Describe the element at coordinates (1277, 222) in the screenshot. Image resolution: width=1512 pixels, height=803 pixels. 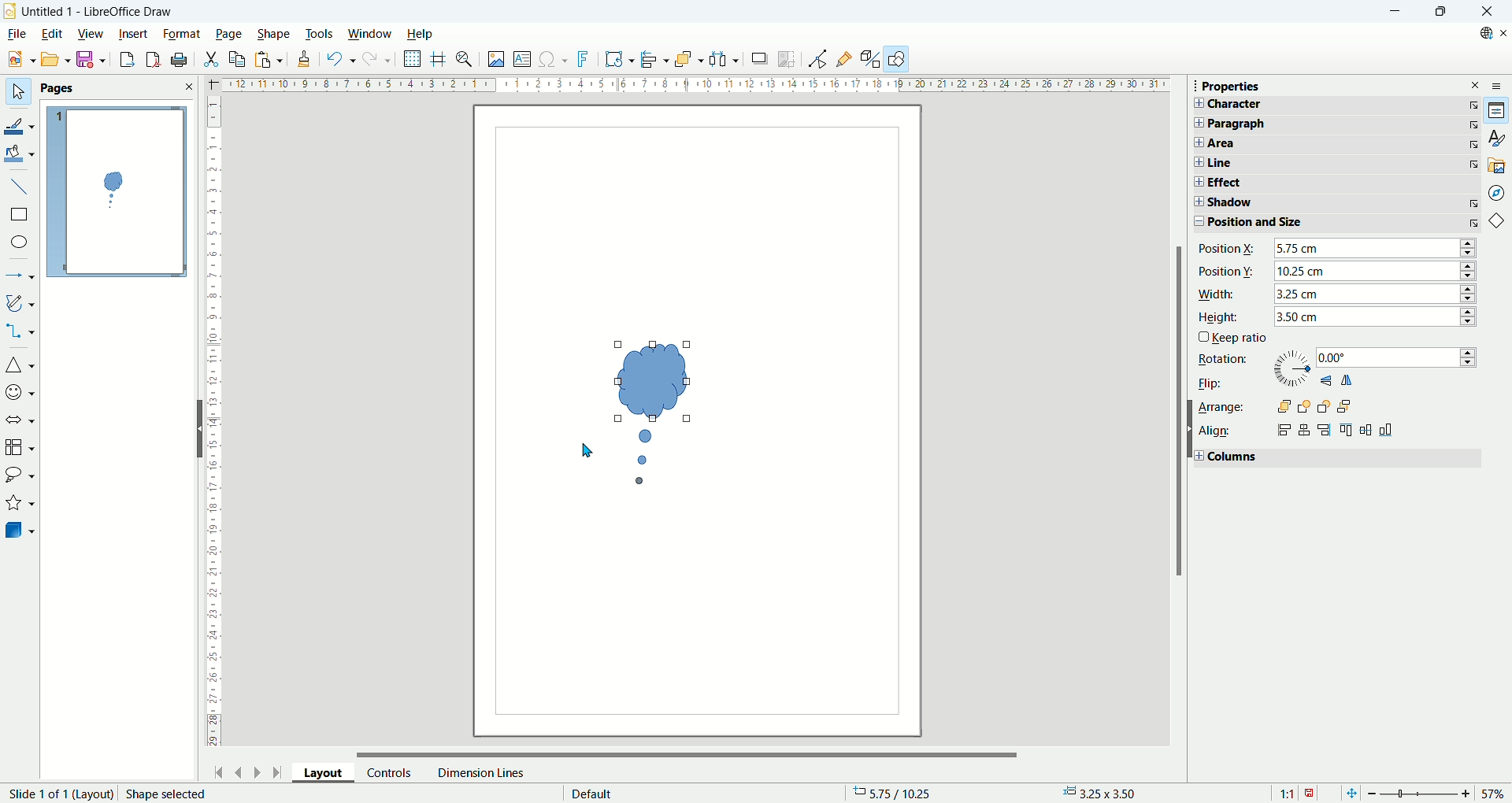
I see `Position and size` at that location.